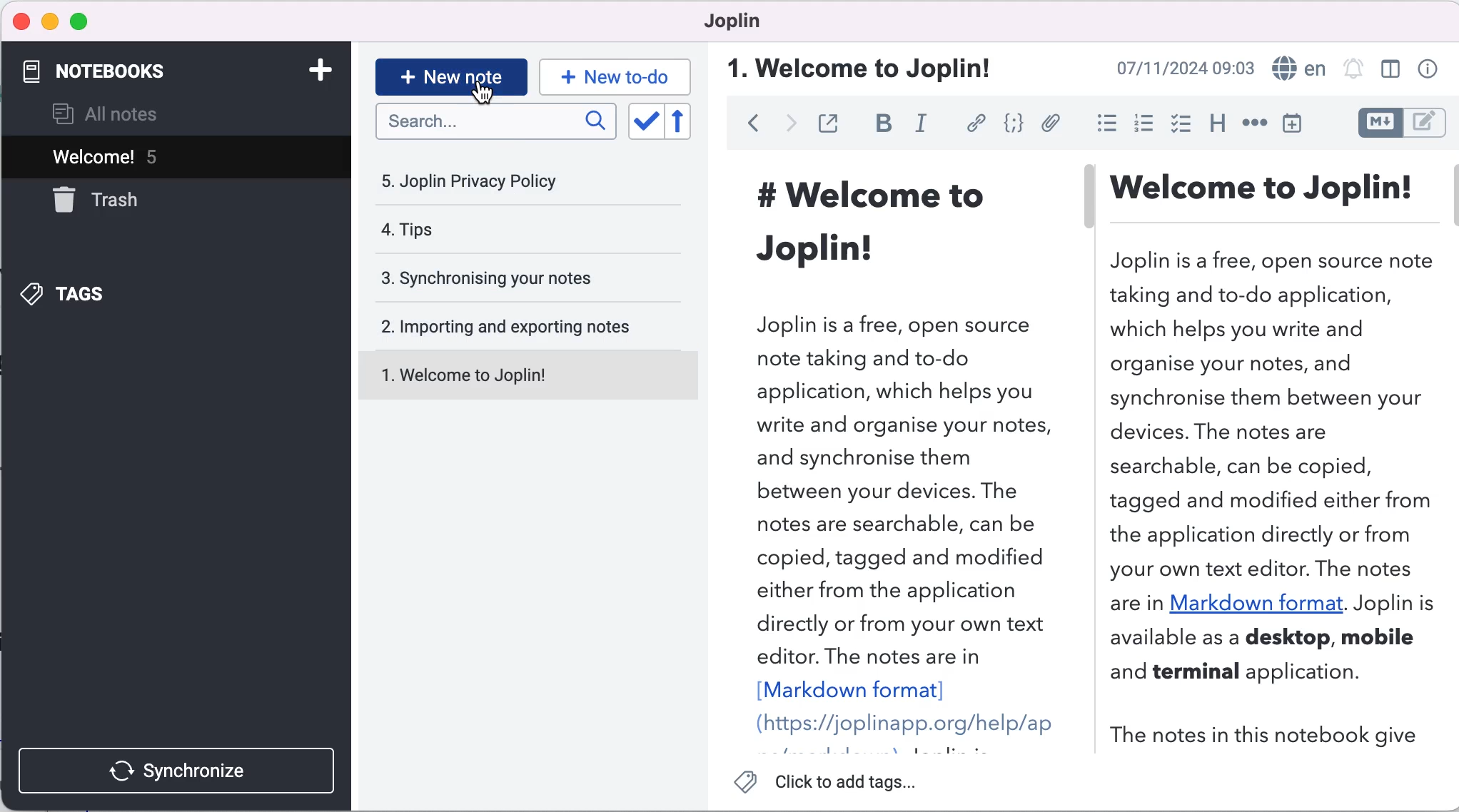  What do you see at coordinates (154, 158) in the screenshot?
I see `welcome! 5` at bounding box center [154, 158].